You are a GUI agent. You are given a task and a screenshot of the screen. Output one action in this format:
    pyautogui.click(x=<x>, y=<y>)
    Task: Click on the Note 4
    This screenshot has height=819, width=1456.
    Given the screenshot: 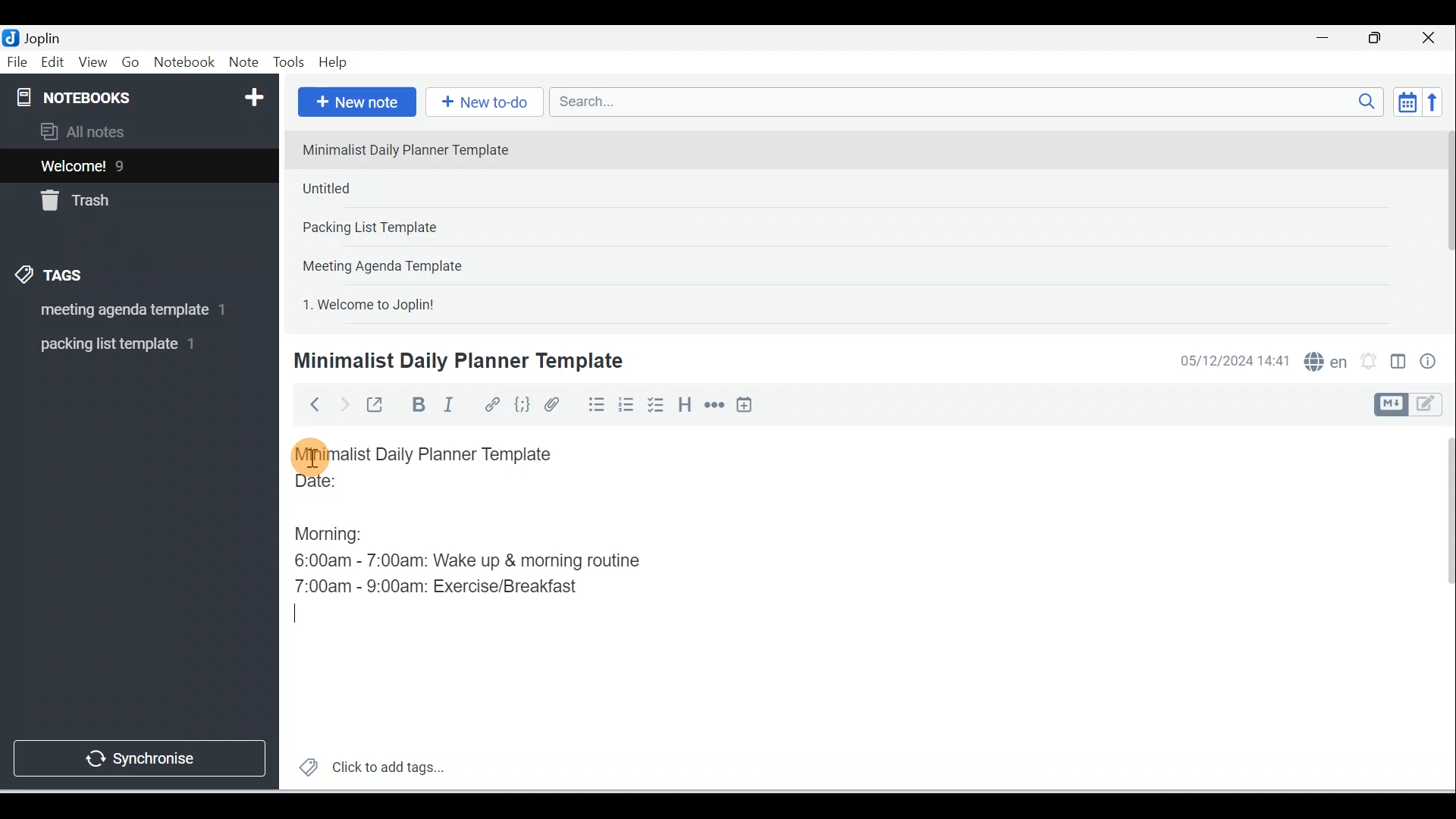 What is the action you would take?
    pyautogui.click(x=403, y=262)
    